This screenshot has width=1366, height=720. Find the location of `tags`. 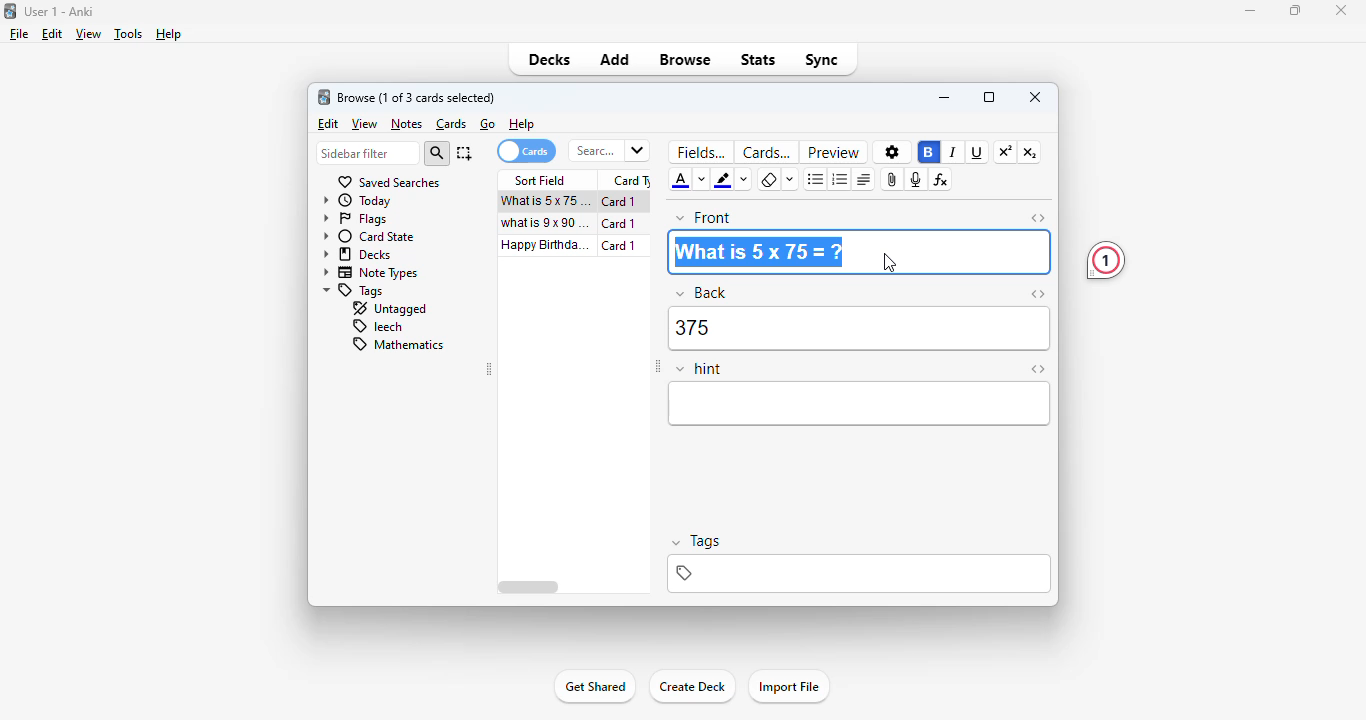

tags is located at coordinates (861, 574).